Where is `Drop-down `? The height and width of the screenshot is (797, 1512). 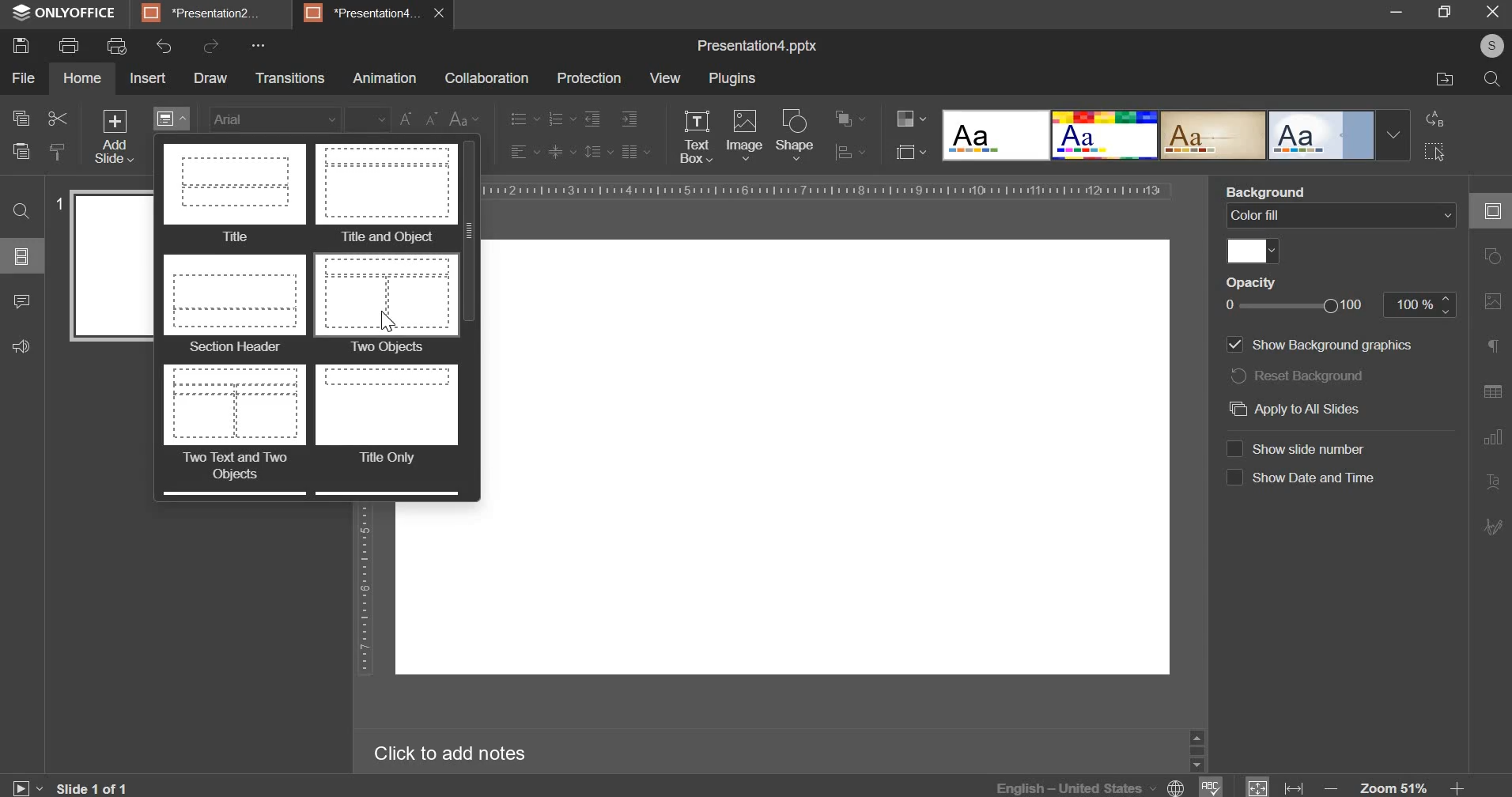
Drop-down  is located at coordinates (1393, 135).